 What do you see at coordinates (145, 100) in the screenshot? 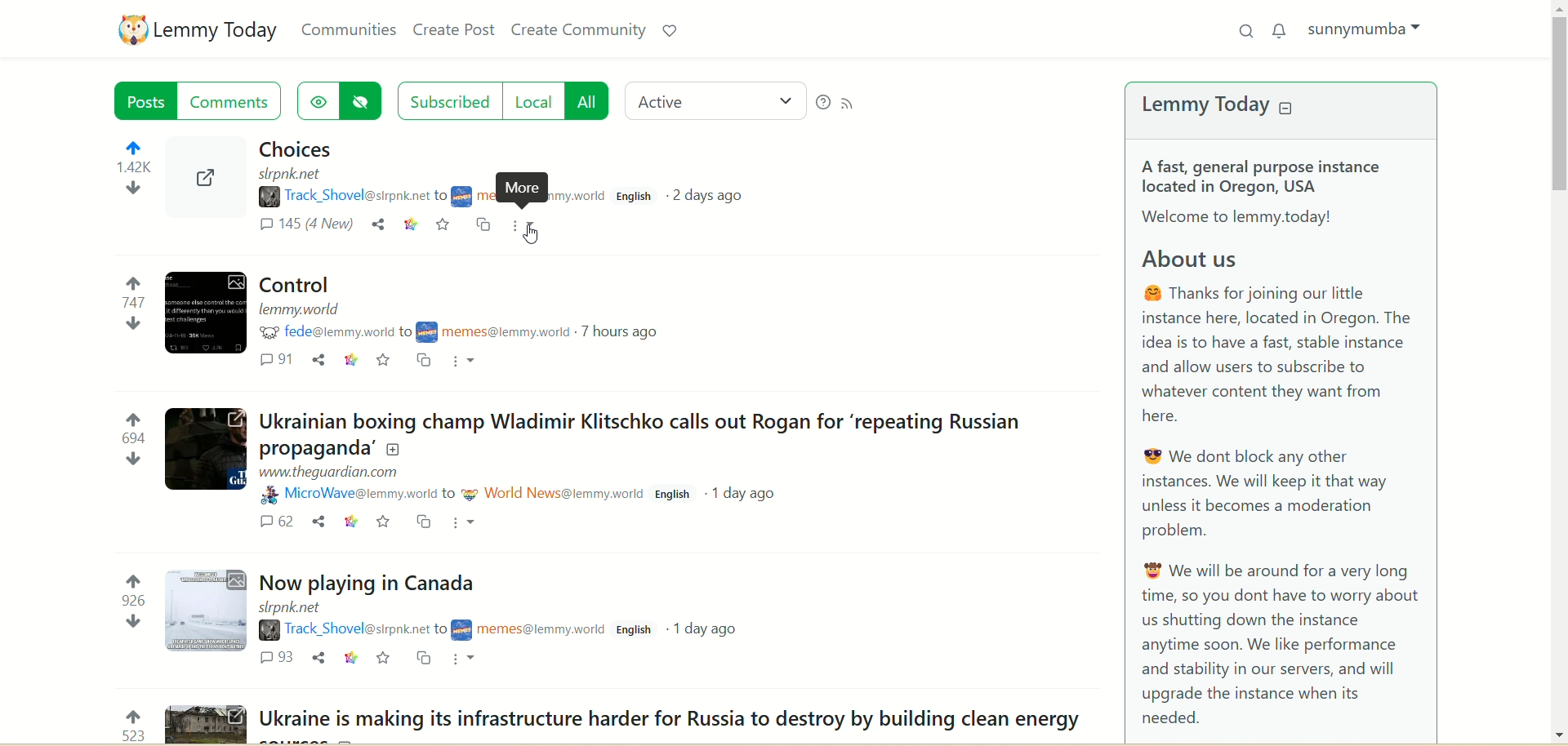
I see `posts` at bounding box center [145, 100].